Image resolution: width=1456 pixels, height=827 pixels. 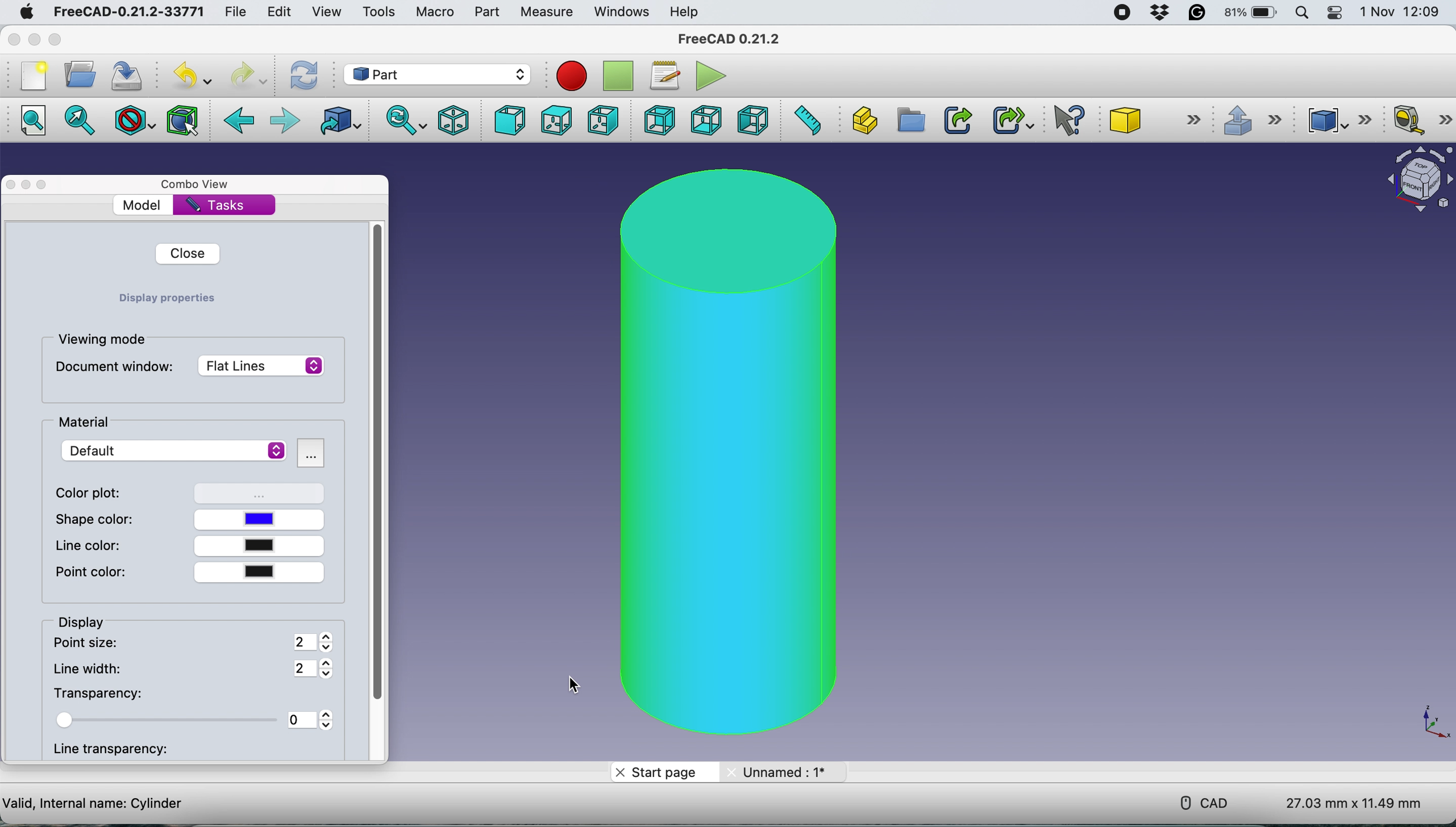 I want to click on stop recording macros, so click(x=617, y=76).